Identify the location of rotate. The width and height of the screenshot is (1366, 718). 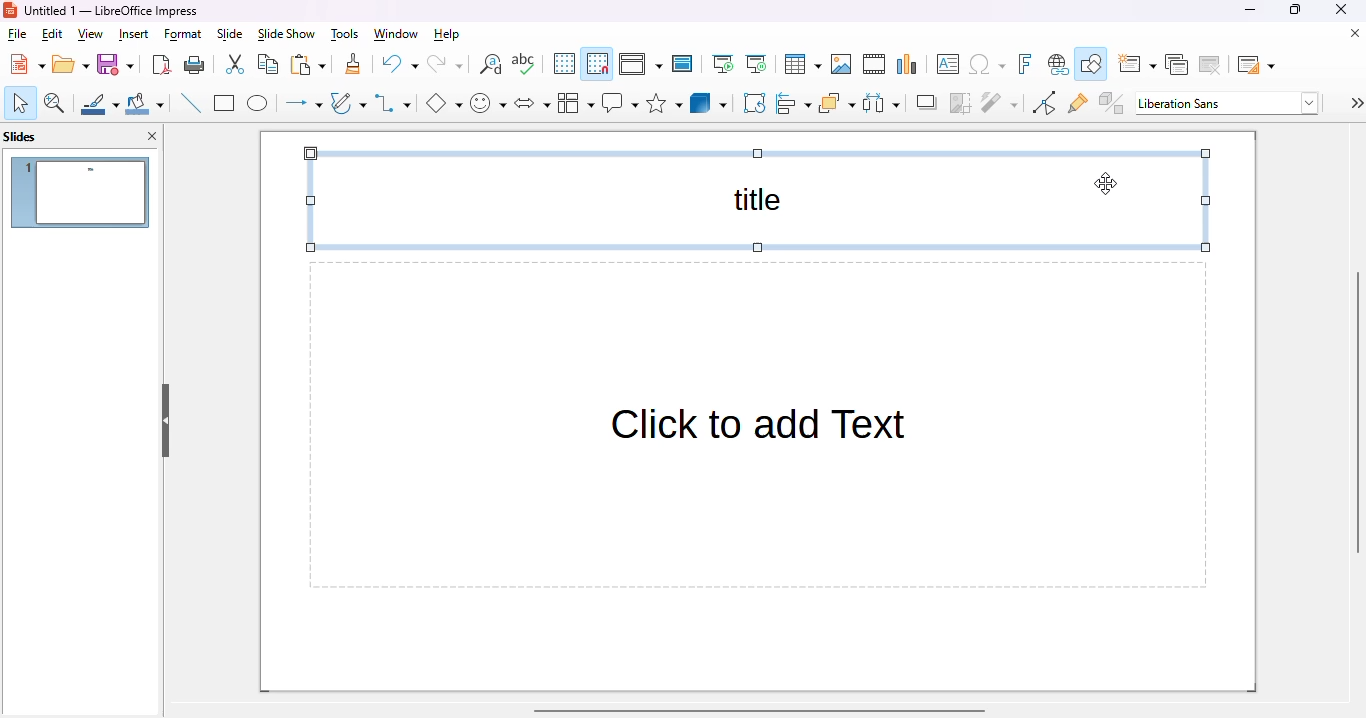
(755, 103).